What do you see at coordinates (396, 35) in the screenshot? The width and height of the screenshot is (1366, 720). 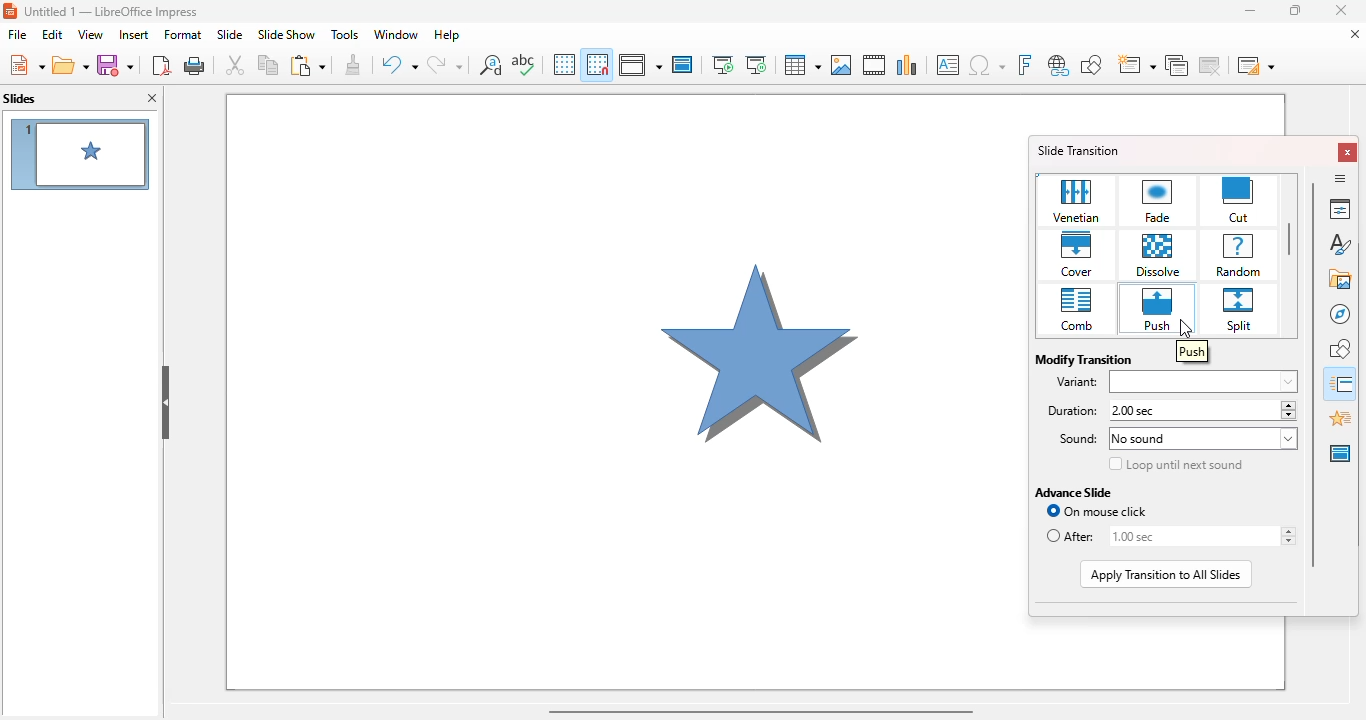 I see `window` at bounding box center [396, 35].